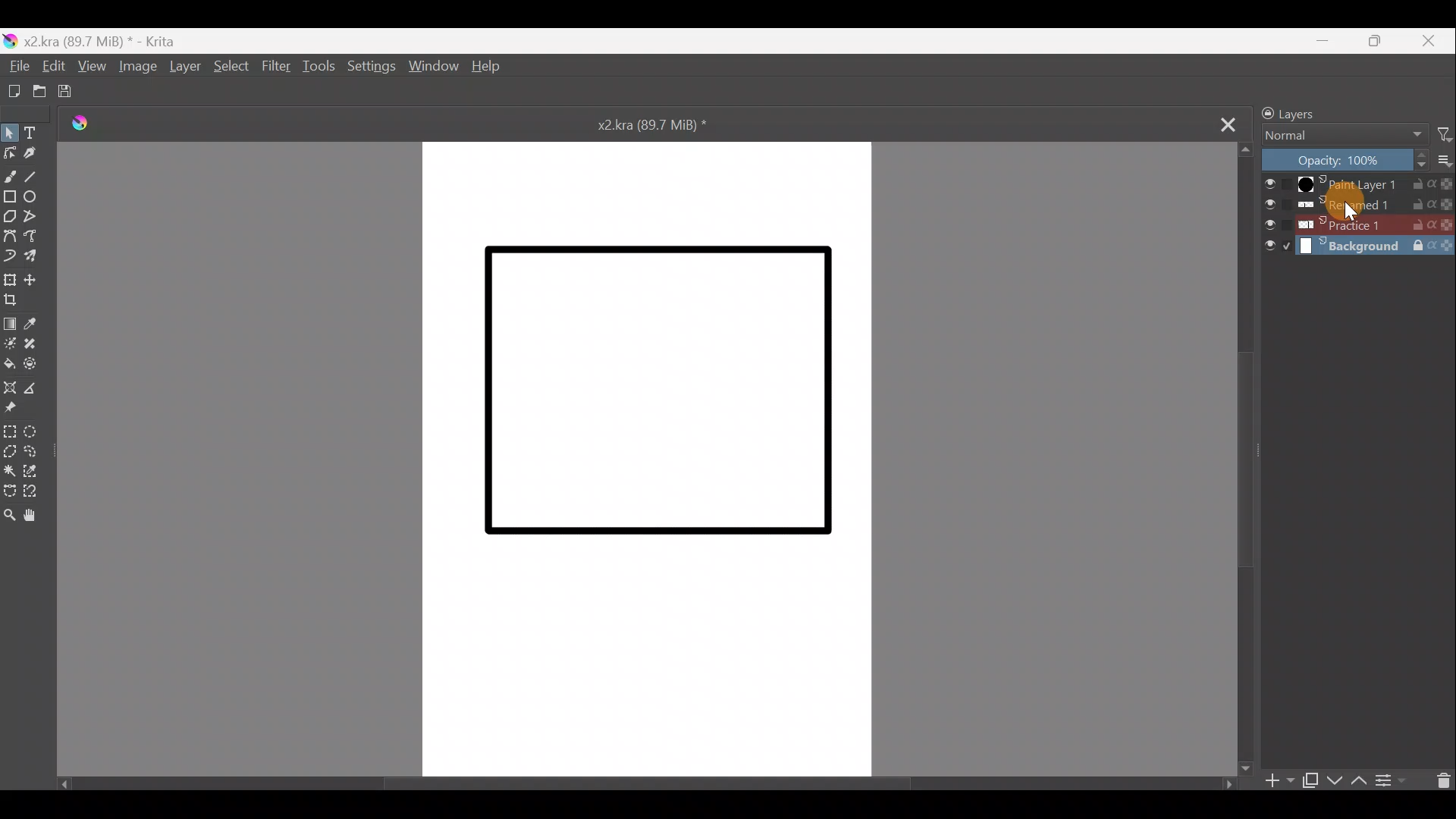  Describe the element at coordinates (36, 259) in the screenshot. I see `Multibrush tool` at that location.